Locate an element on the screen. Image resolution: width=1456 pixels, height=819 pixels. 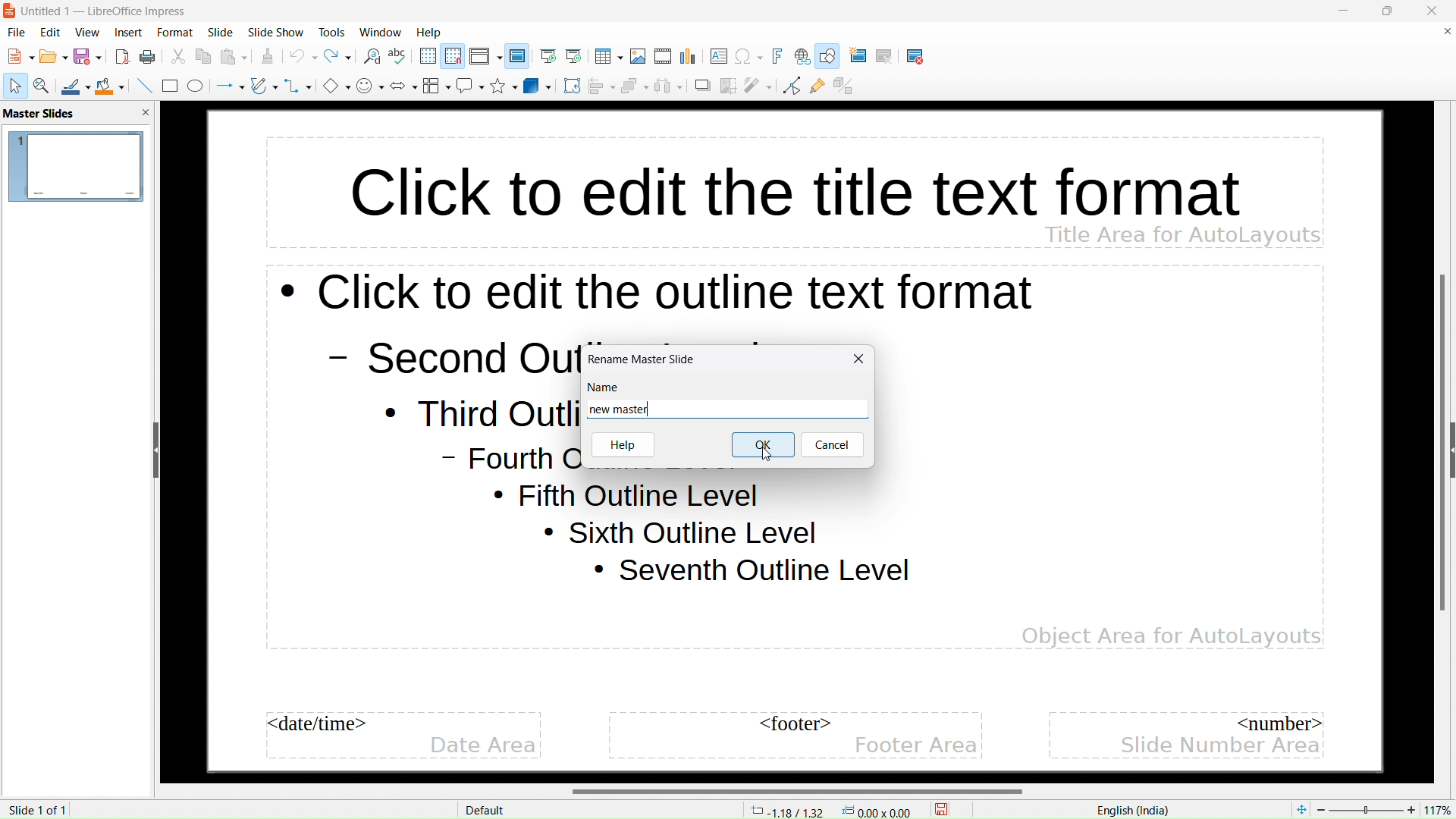
stars and banners is located at coordinates (504, 85).